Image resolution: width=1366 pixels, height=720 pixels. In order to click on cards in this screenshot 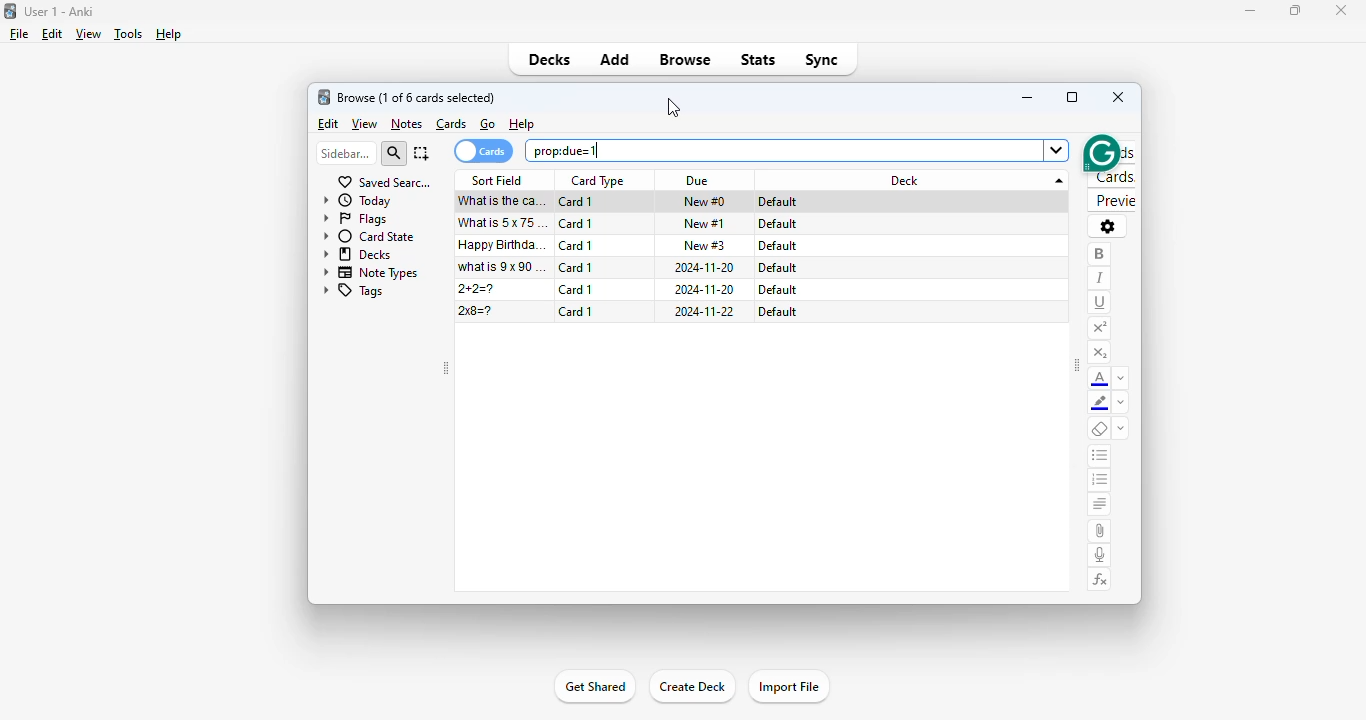, I will do `click(452, 124)`.